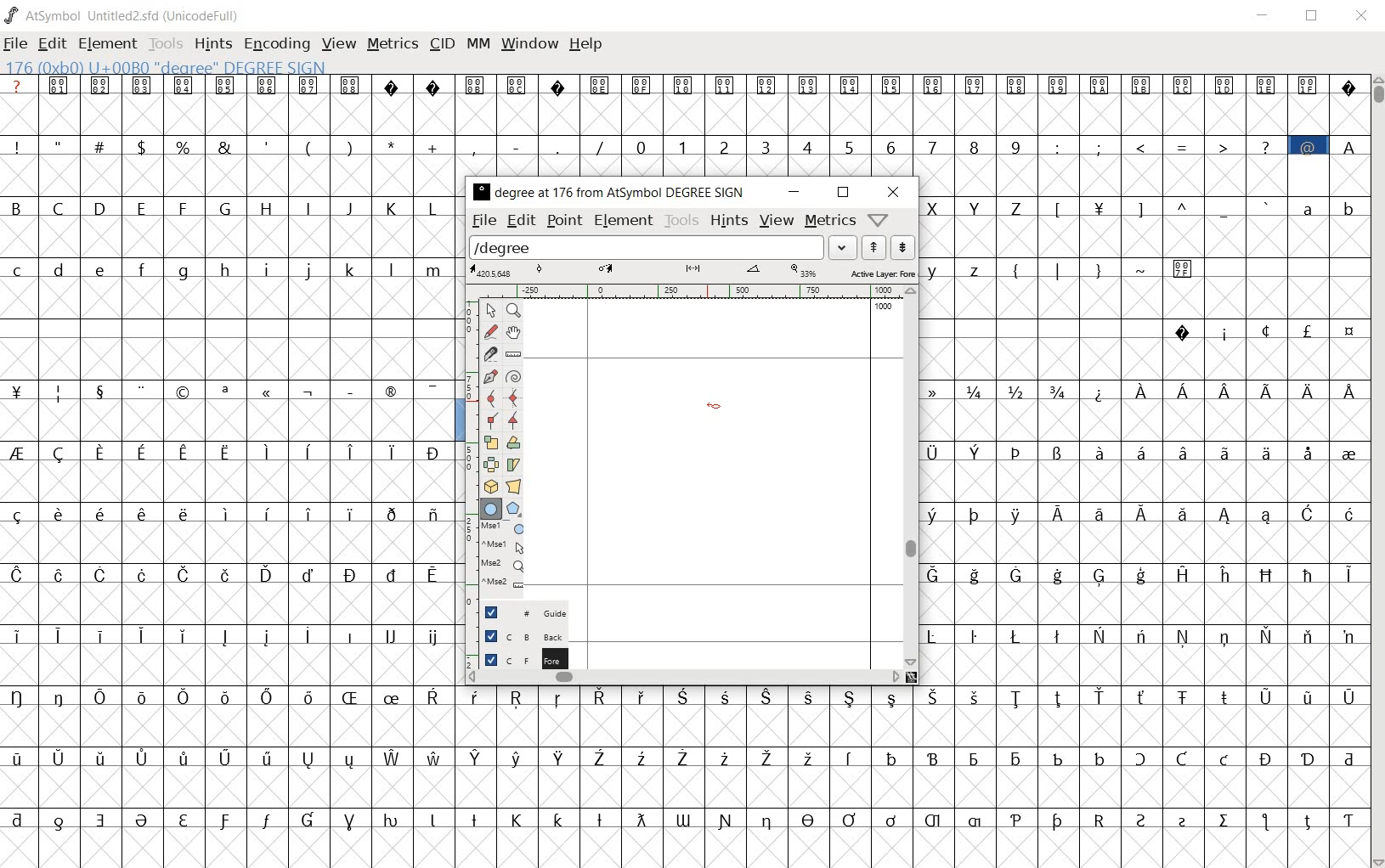 This screenshot has height=868, width=1385. What do you see at coordinates (489, 353) in the screenshot?
I see `cut splines in two` at bounding box center [489, 353].